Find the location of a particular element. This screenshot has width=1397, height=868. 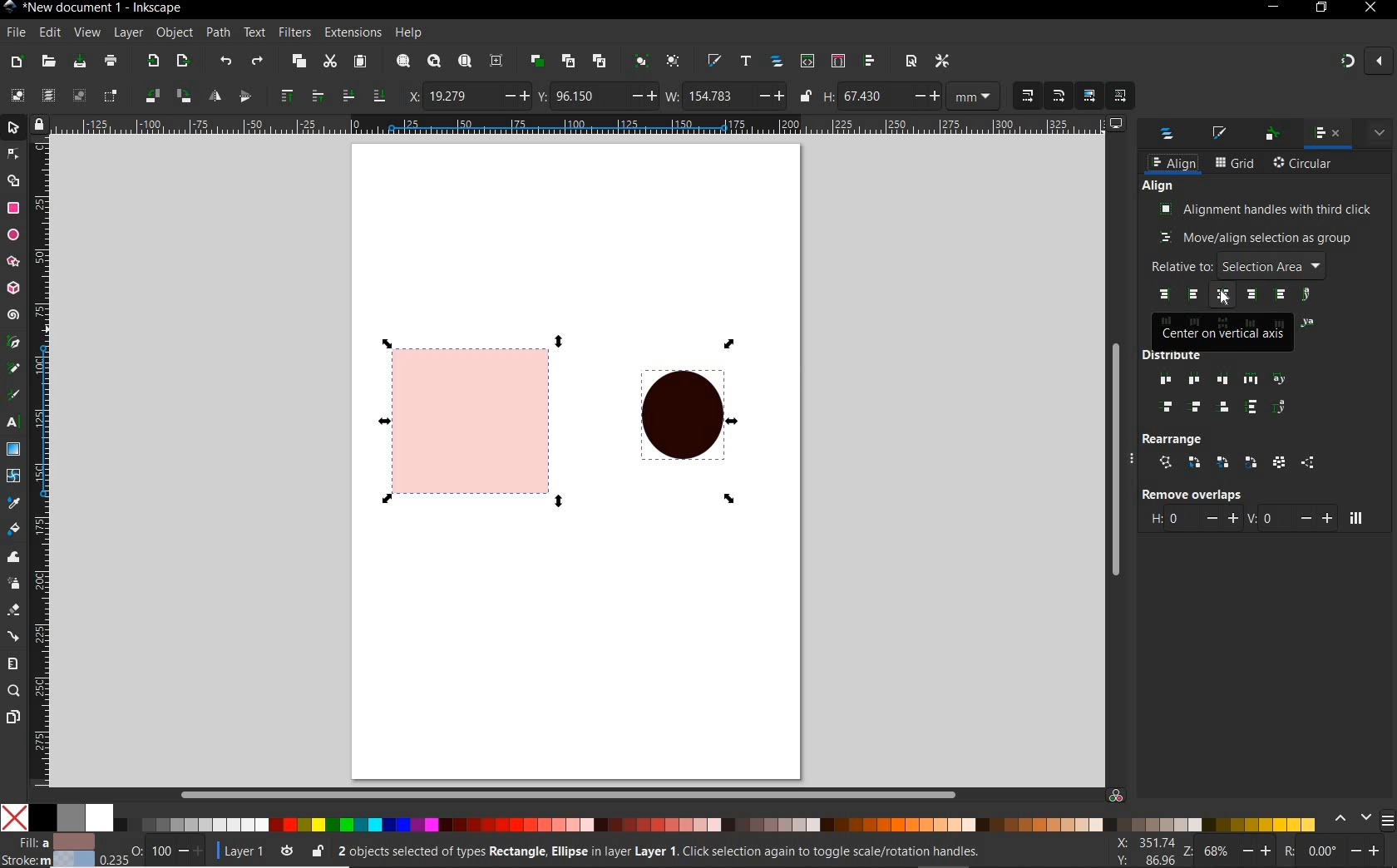

layer 1 is located at coordinates (257, 850).